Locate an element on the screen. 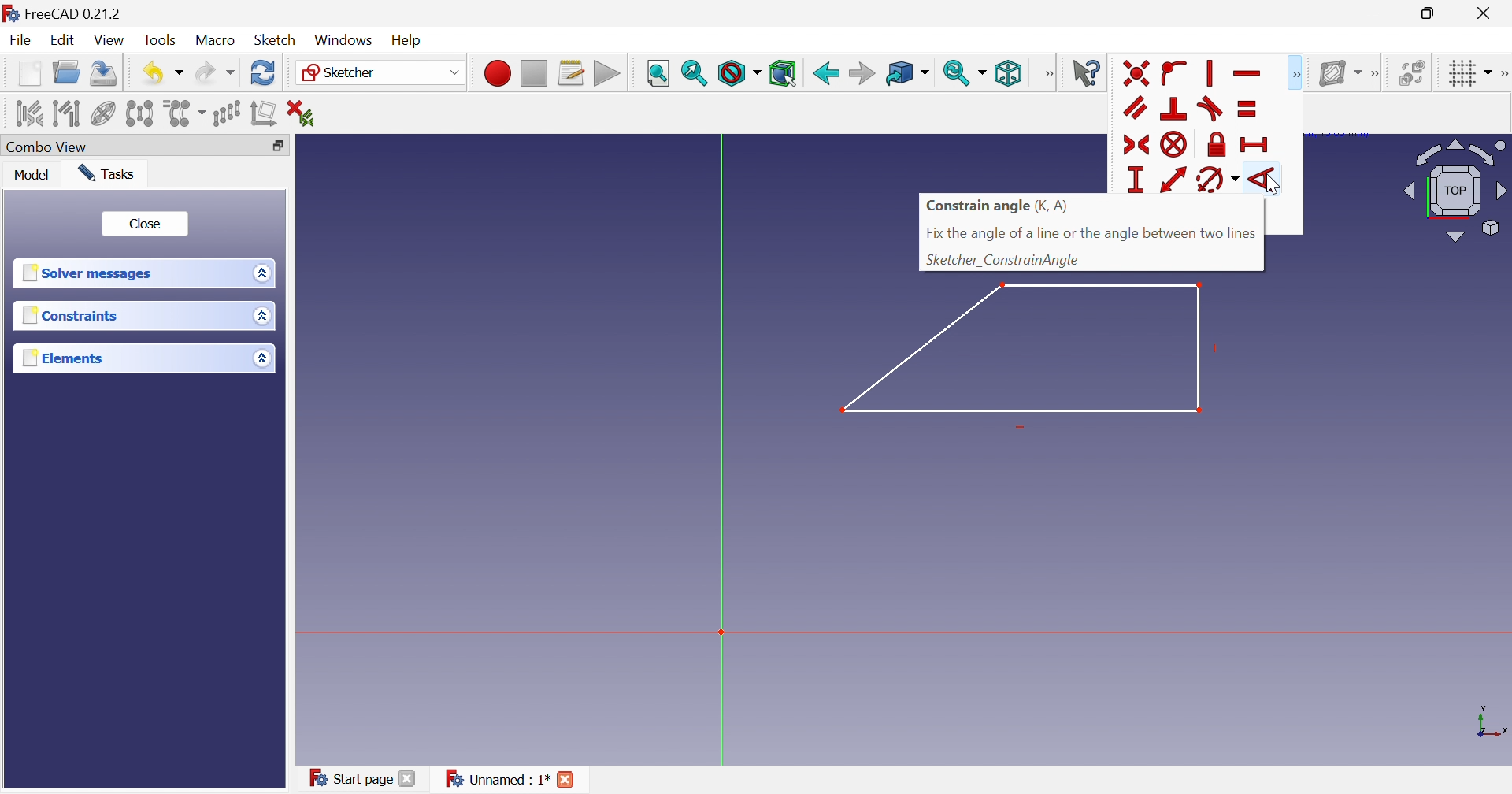  X, Y plane is located at coordinates (1492, 722).